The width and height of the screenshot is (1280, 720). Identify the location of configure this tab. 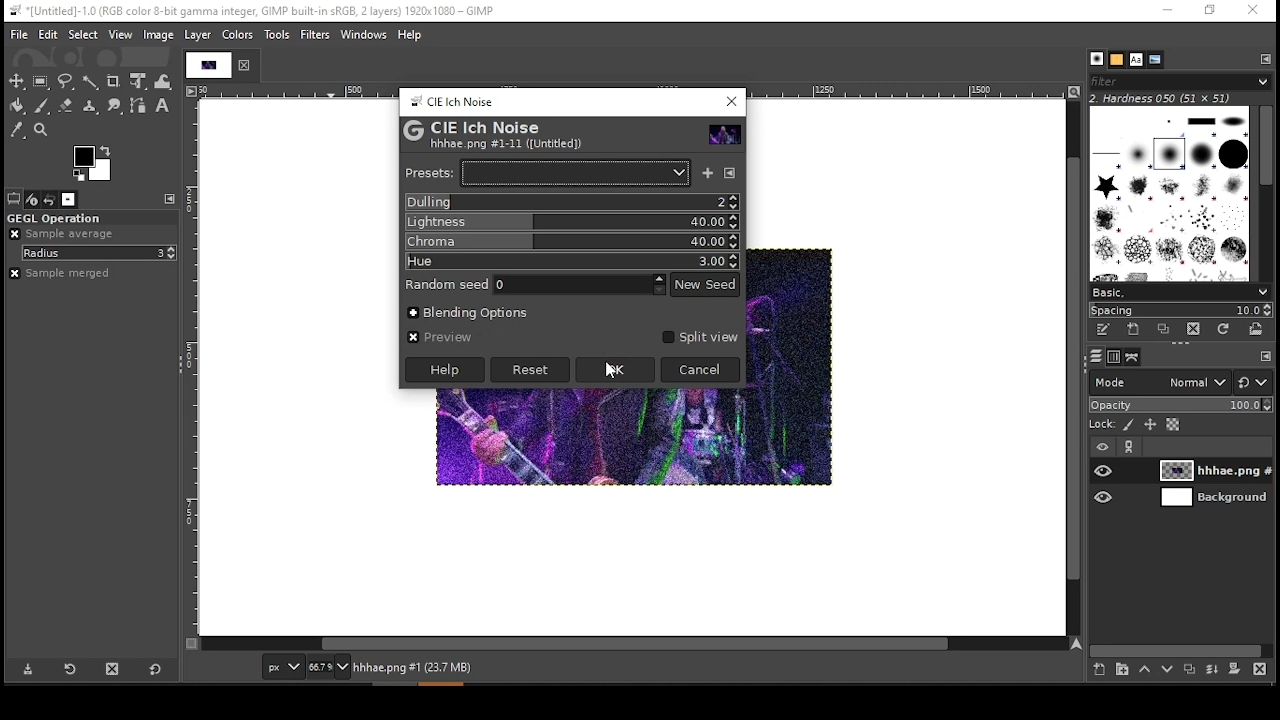
(171, 200).